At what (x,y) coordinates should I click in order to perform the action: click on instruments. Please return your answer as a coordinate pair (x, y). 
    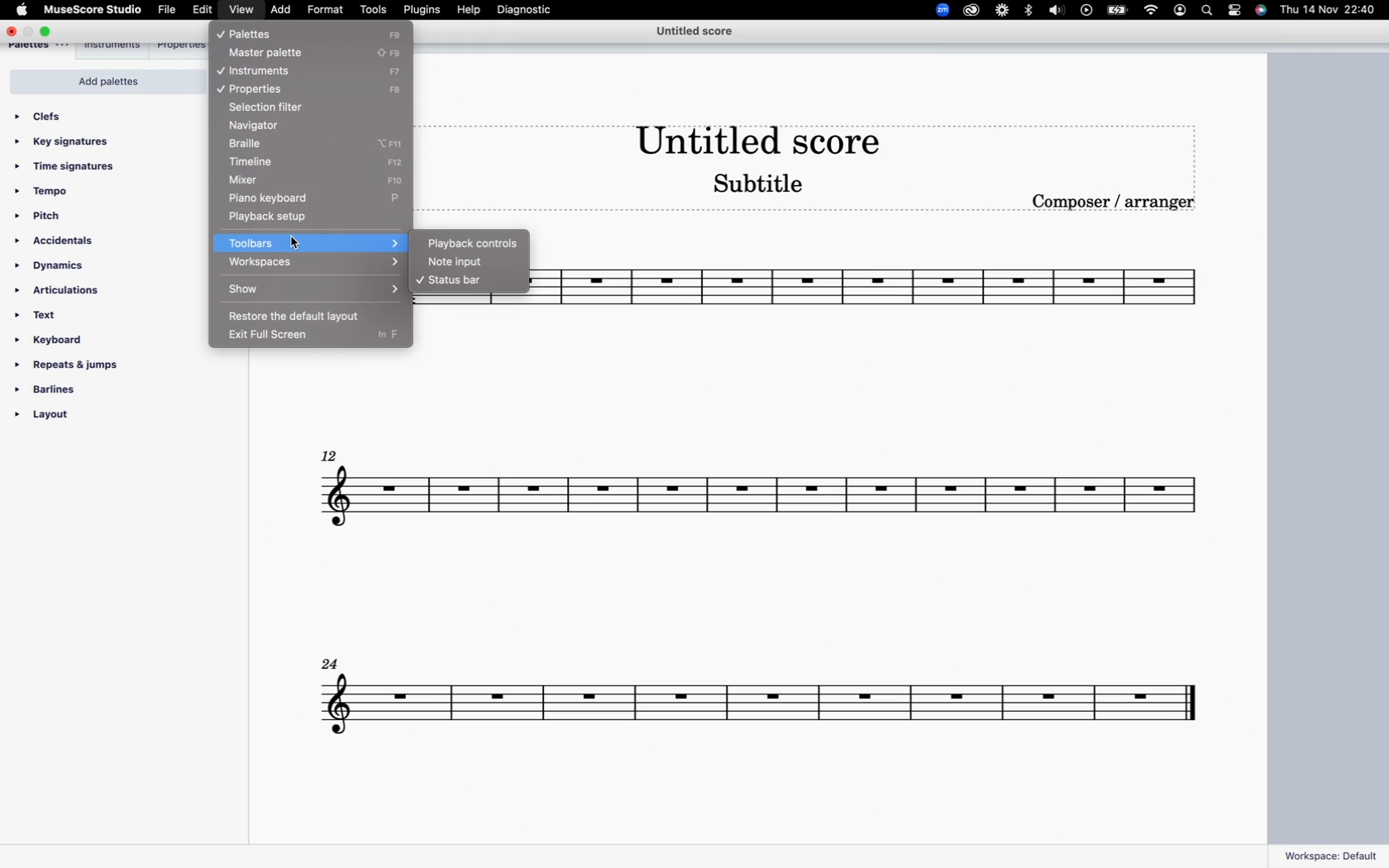
    Looking at the image, I should click on (116, 47).